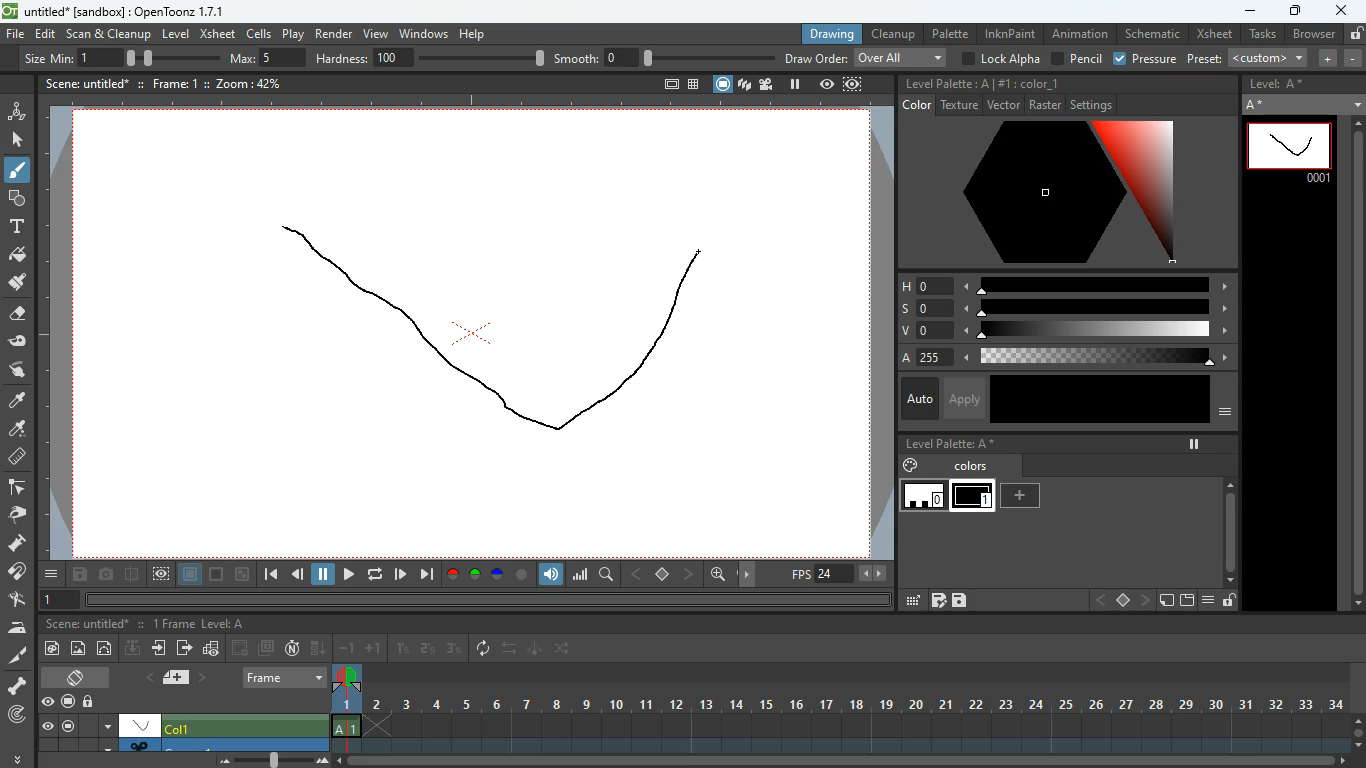 The width and height of the screenshot is (1366, 768). What do you see at coordinates (511, 648) in the screenshot?
I see `swap` at bounding box center [511, 648].